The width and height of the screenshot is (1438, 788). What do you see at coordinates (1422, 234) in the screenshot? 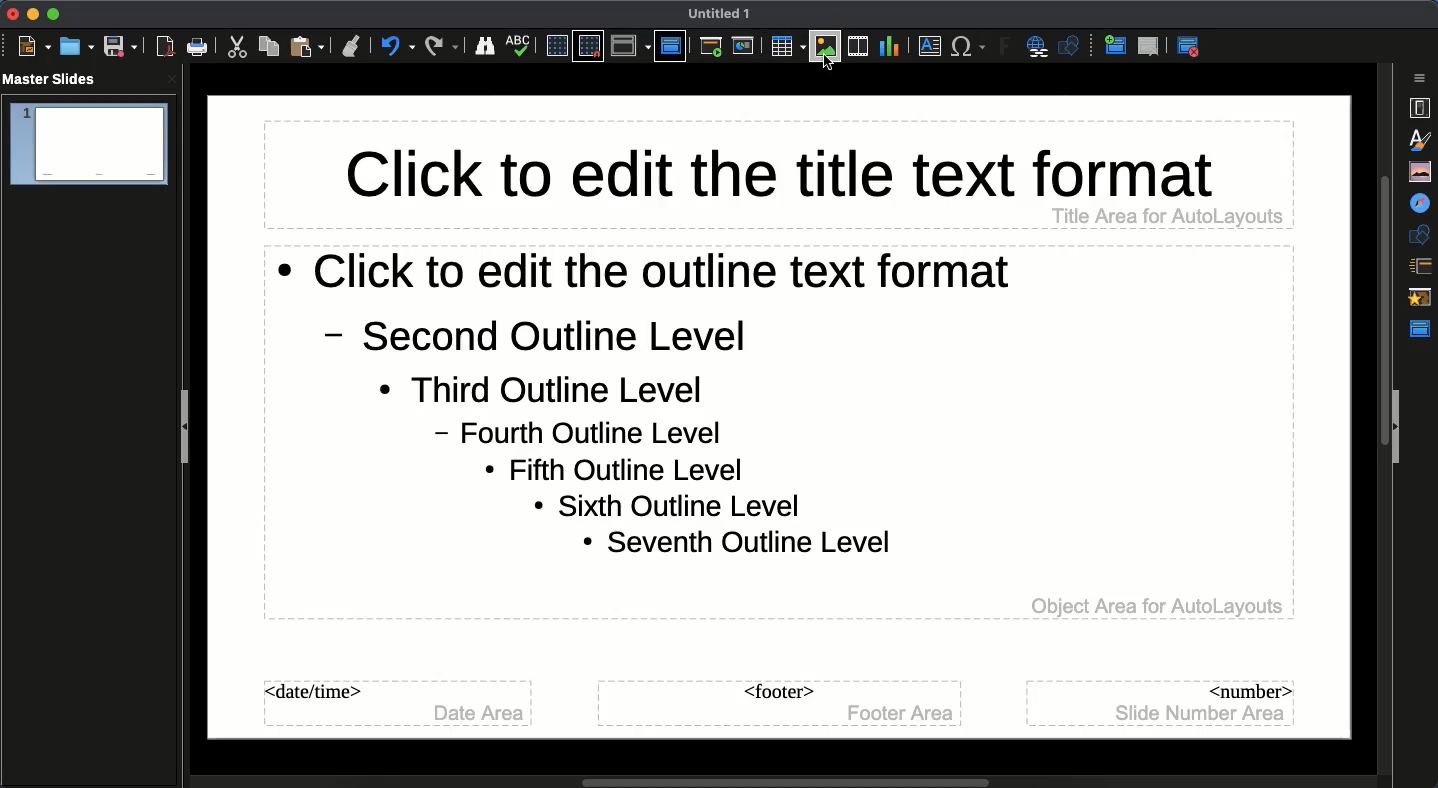
I see `Shapes` at bounding box center [1422, 234].